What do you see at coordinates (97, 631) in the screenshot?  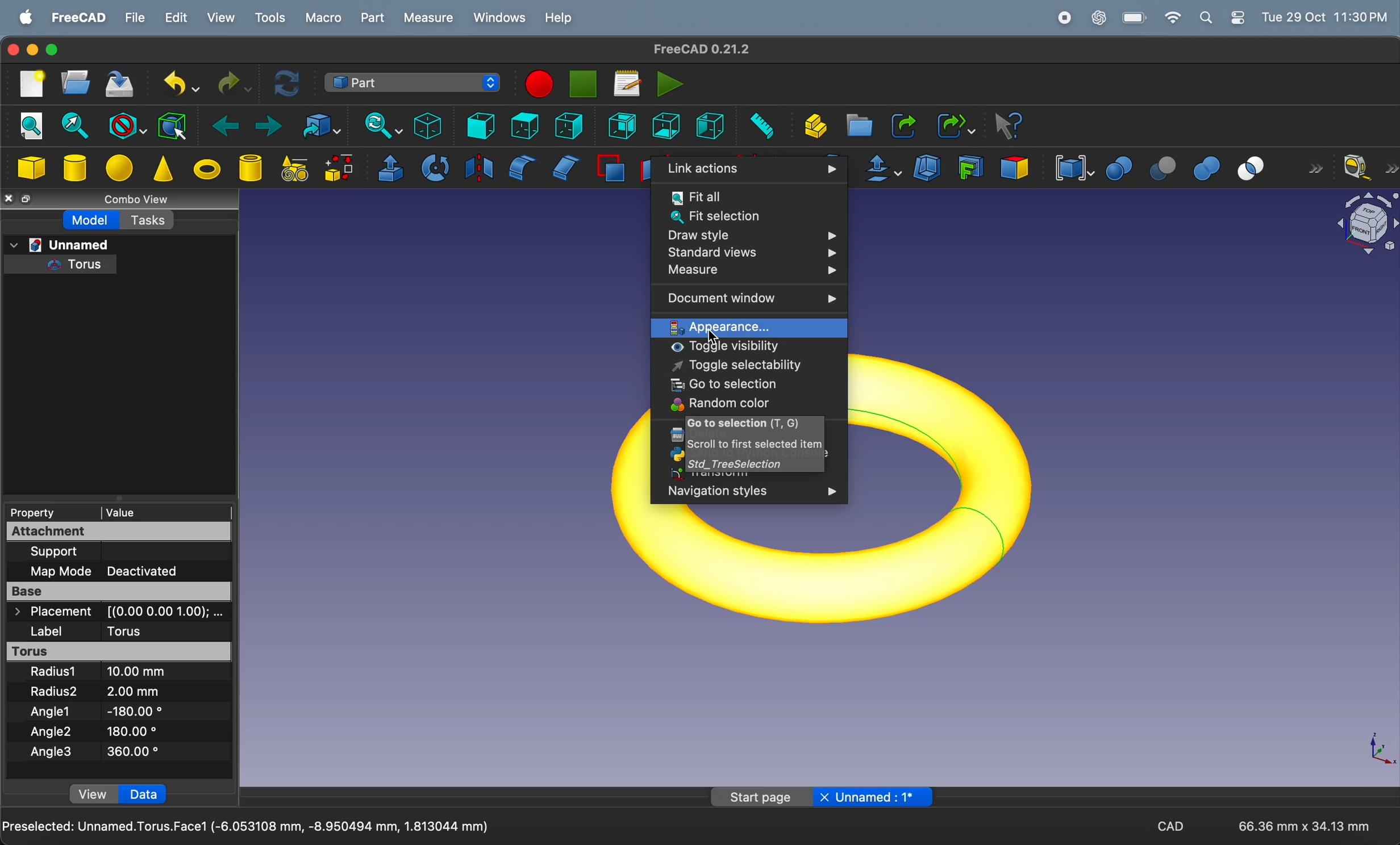 I see `label torus` at bounding box center [97, 631].